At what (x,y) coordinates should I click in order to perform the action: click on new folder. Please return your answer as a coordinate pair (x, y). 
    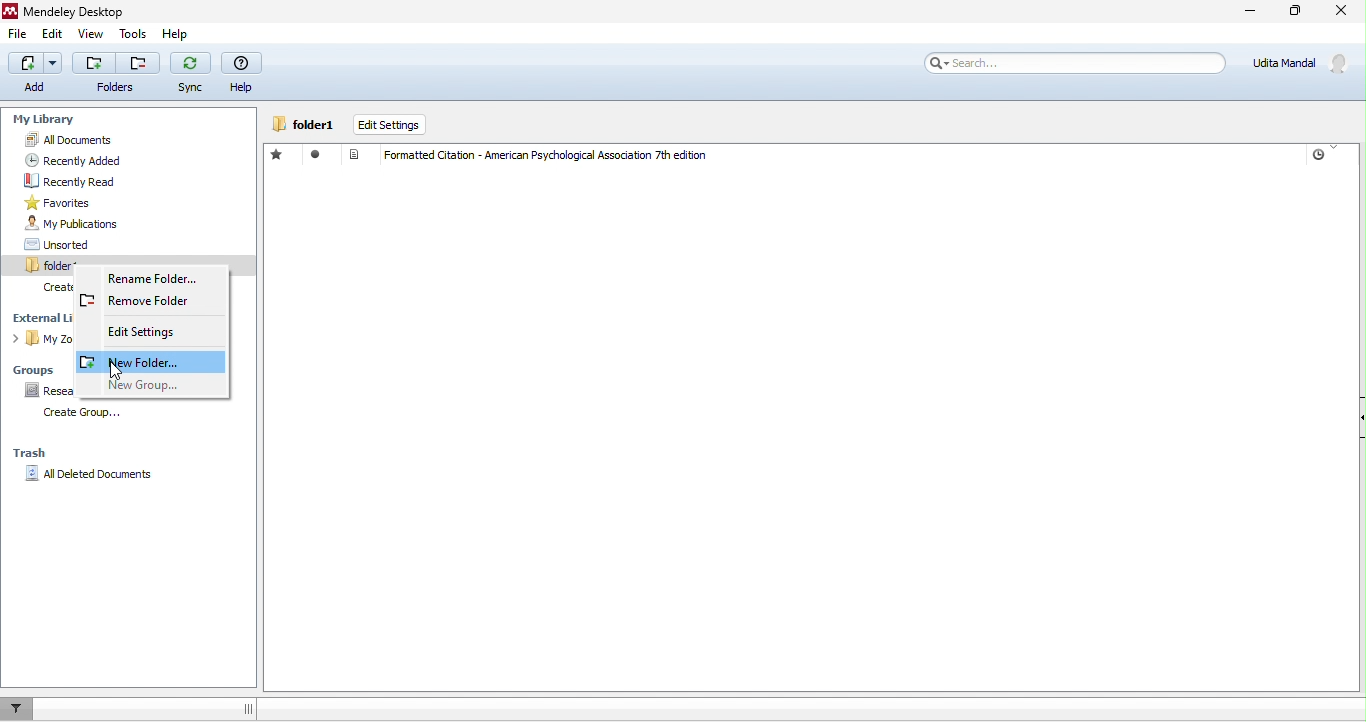
    Looking at the image, I should click on (152, 362).